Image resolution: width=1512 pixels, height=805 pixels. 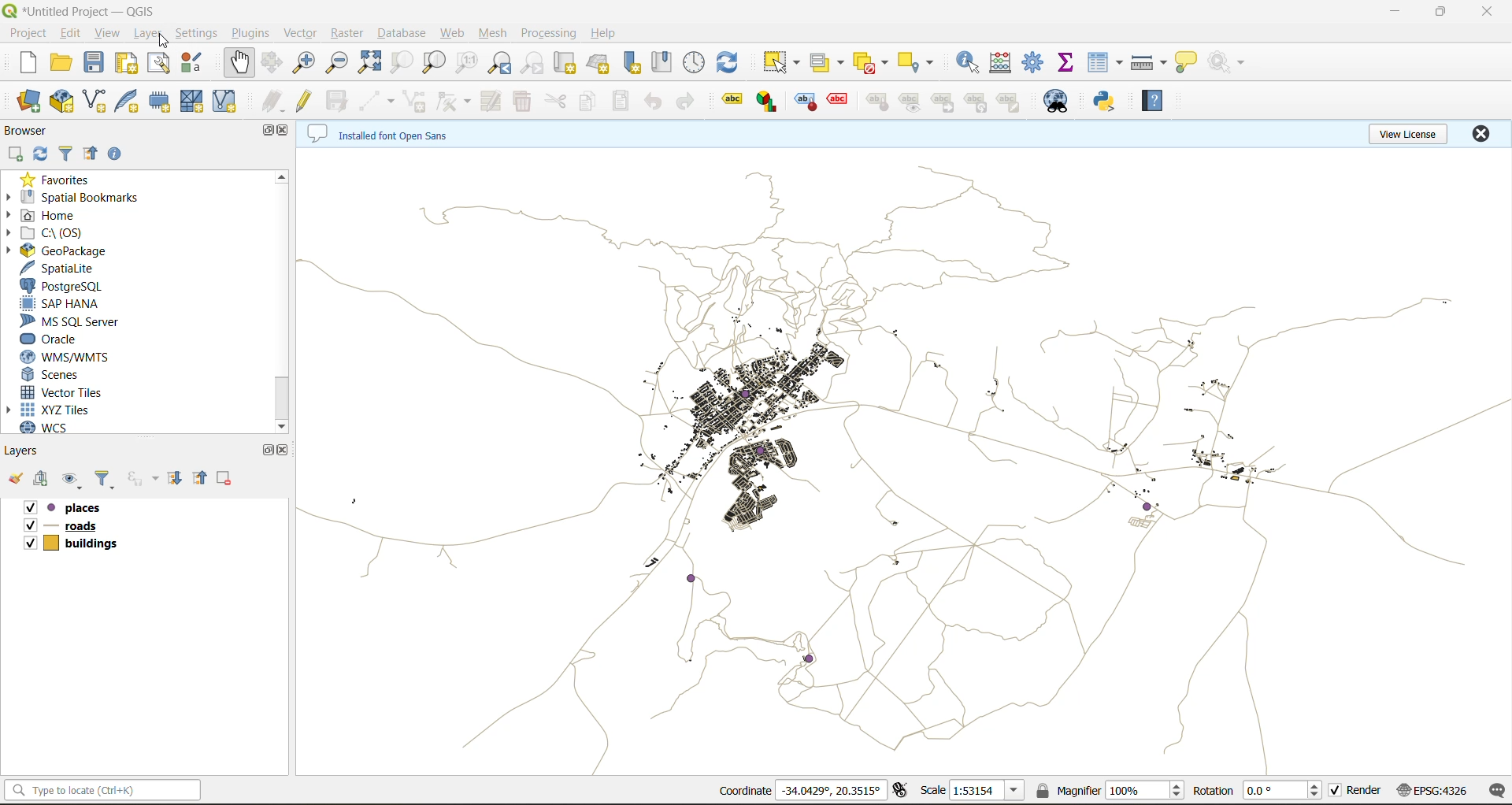 What do you see at coordinates (610, 32) in the screenshot?
I see `help` at bounding box center [610, 32].